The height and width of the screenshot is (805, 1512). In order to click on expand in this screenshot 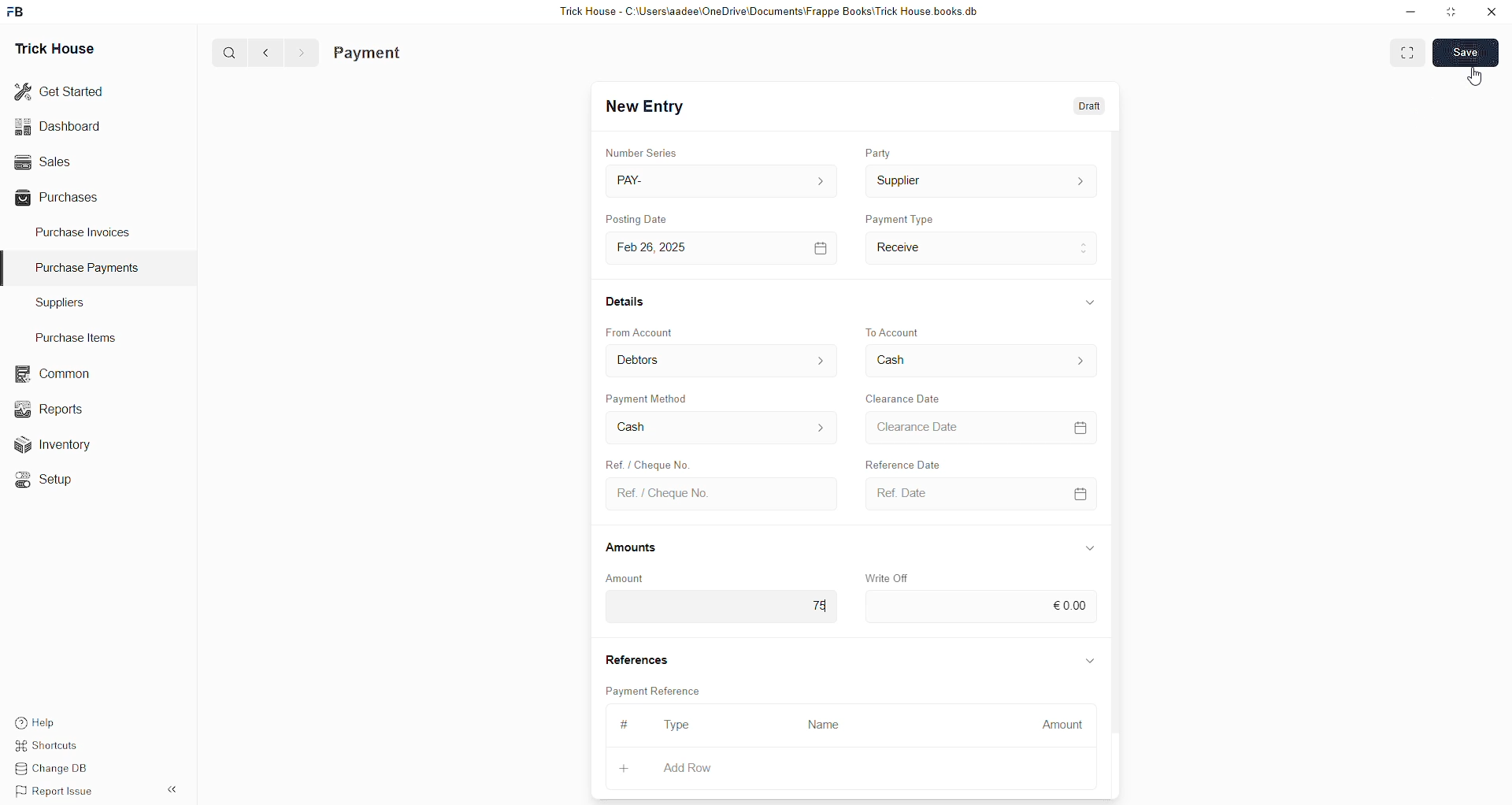, I will do `click(1091, 546)`.